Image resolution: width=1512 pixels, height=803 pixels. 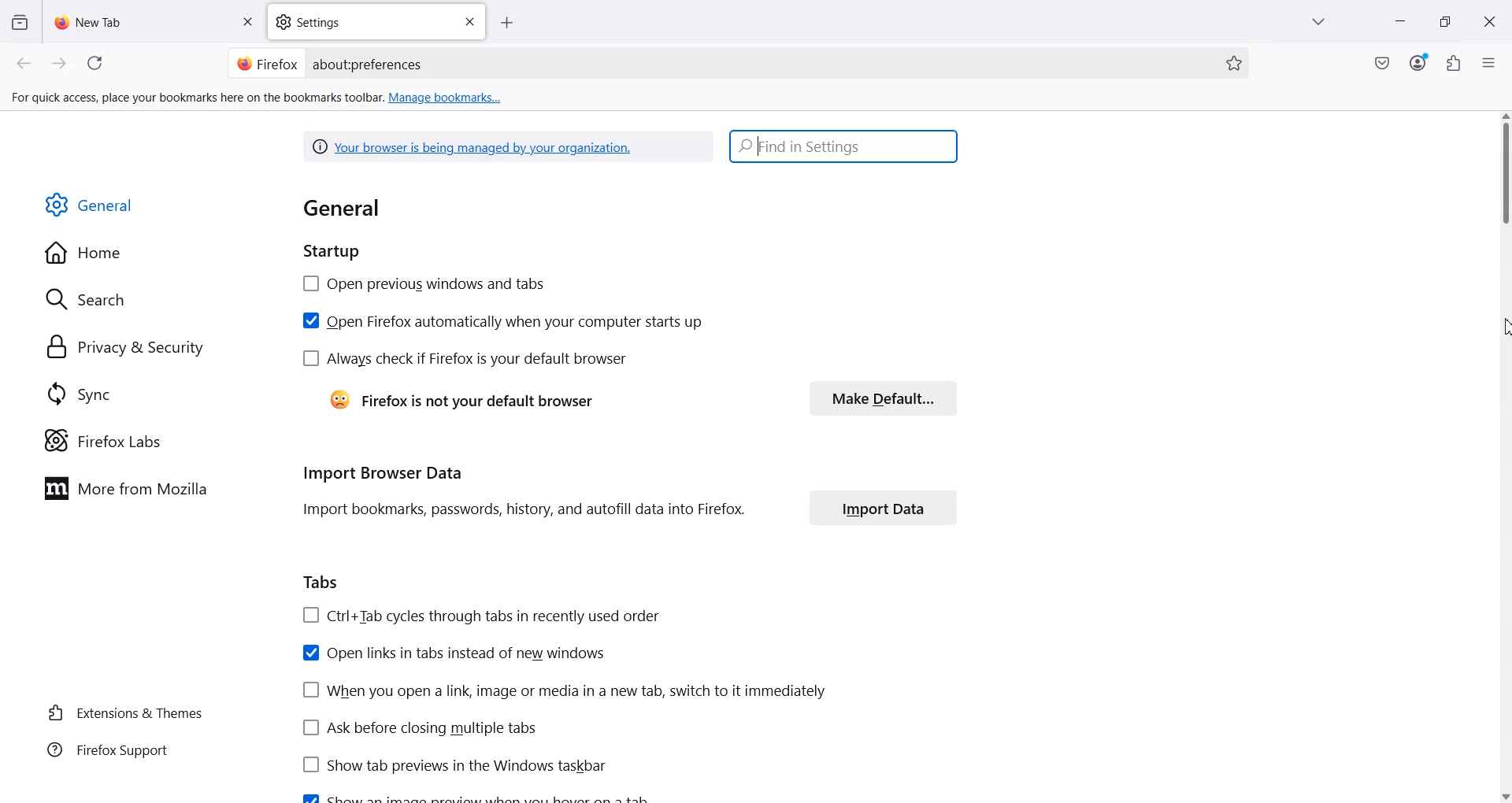 What do you see at coordinates (125, 349) in the screenshot?
I see `8 Privacy & Security` at bounding box center [125, 349].